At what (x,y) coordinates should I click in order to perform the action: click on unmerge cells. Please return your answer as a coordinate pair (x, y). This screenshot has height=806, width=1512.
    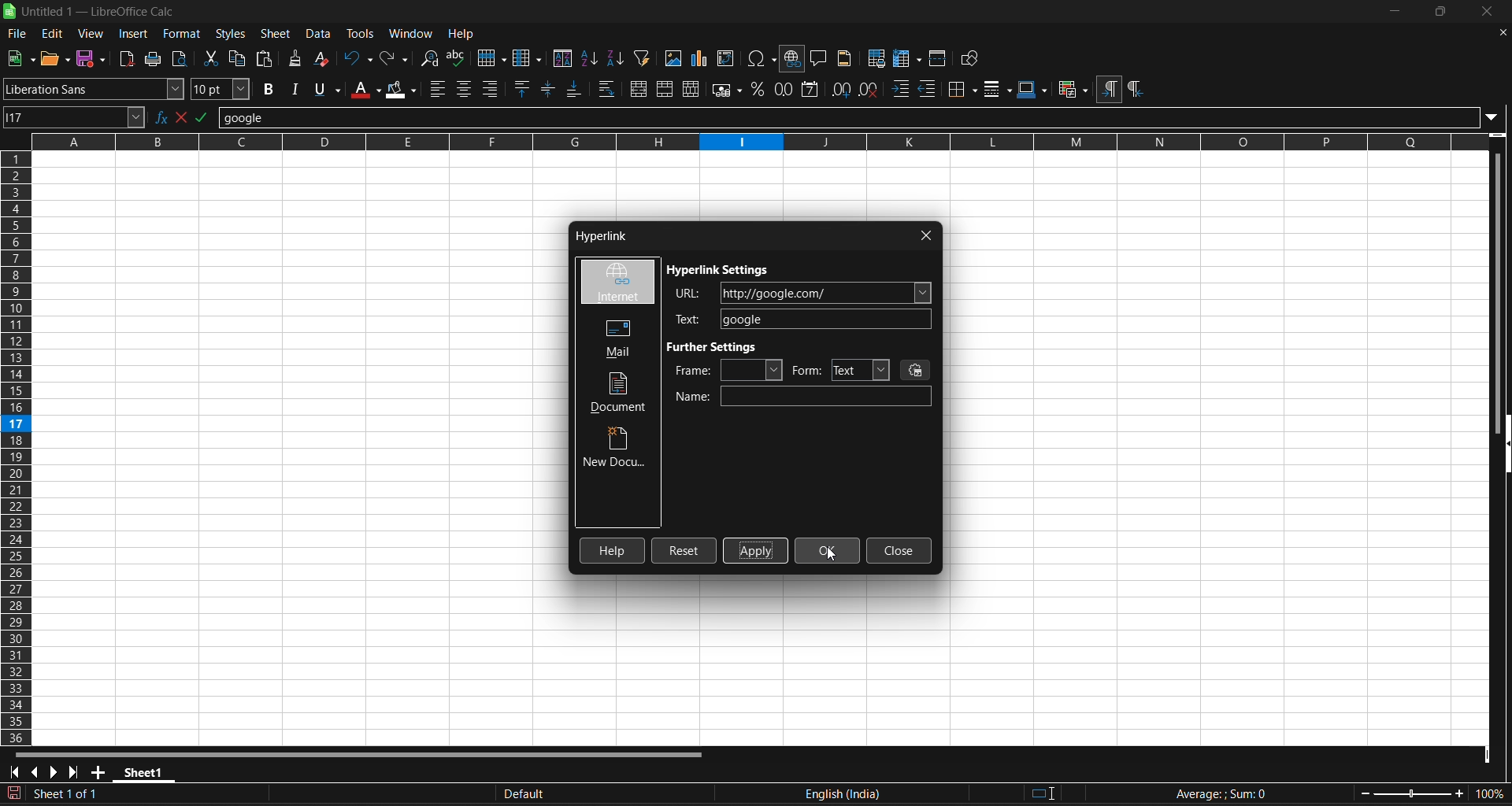
    Looking at the image, I should click on (692, 89).